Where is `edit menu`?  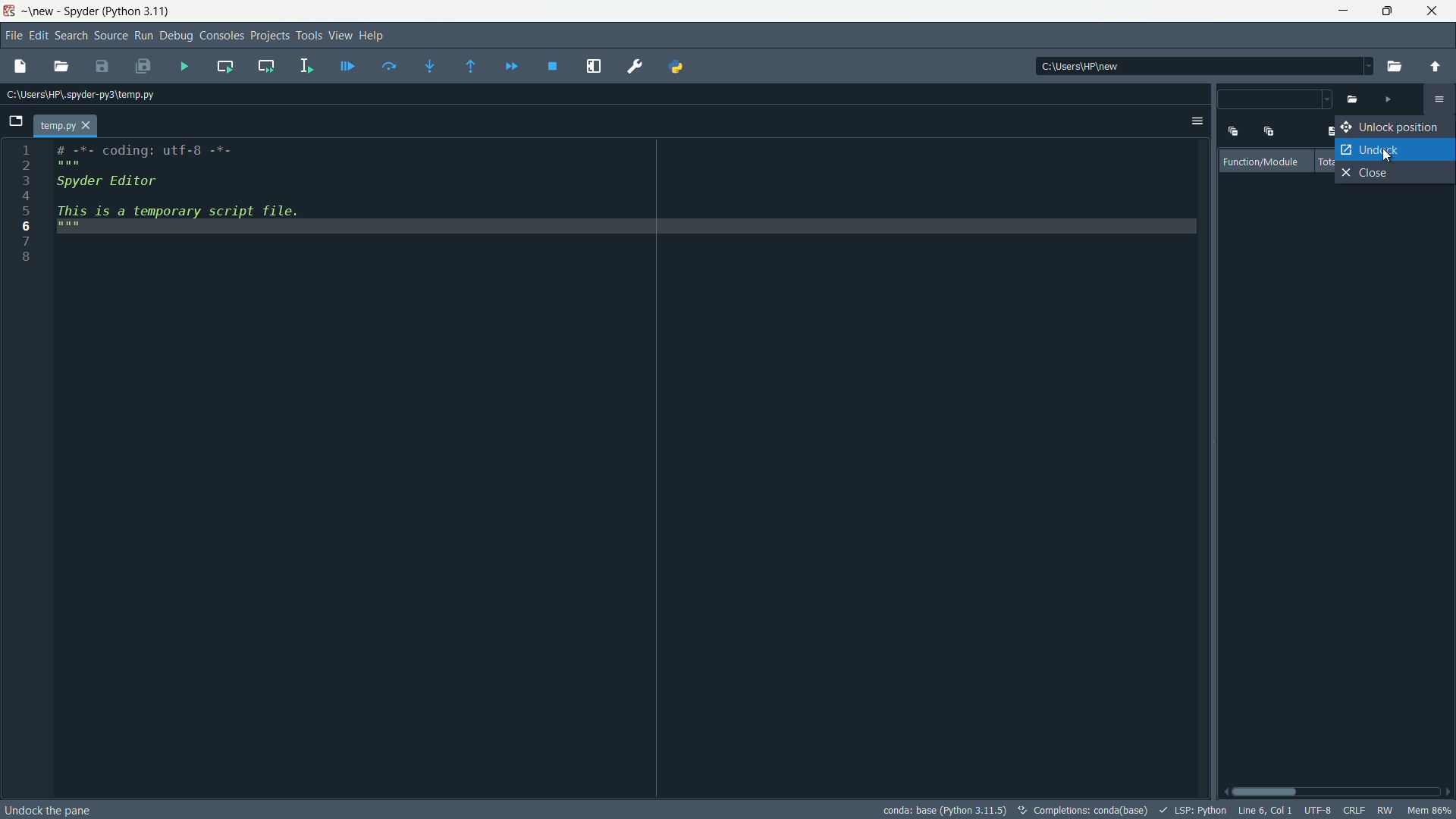
edit menu is located at coordinates (38, 36).